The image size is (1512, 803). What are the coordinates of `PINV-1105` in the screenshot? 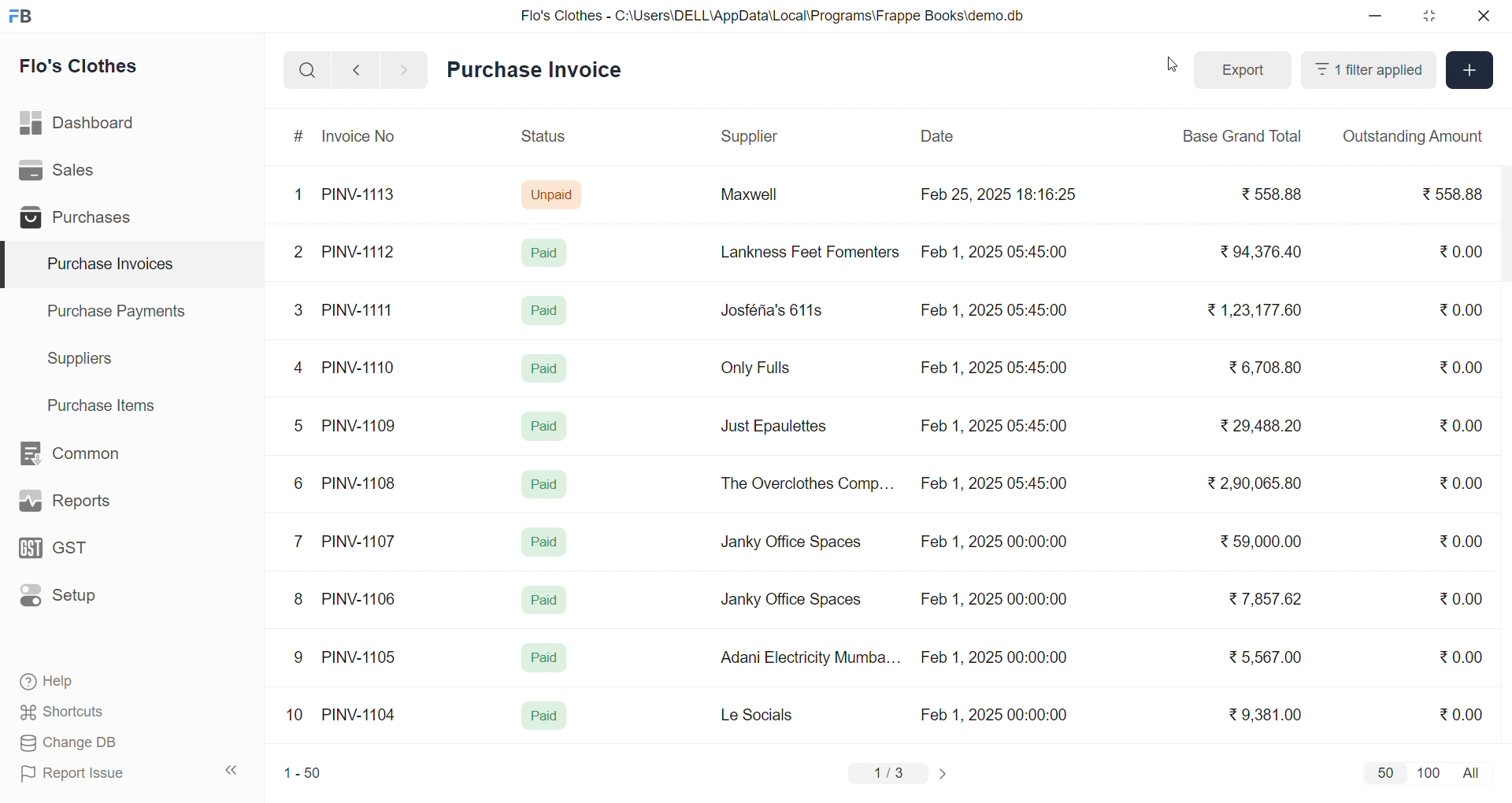 It's located at (362, 657).